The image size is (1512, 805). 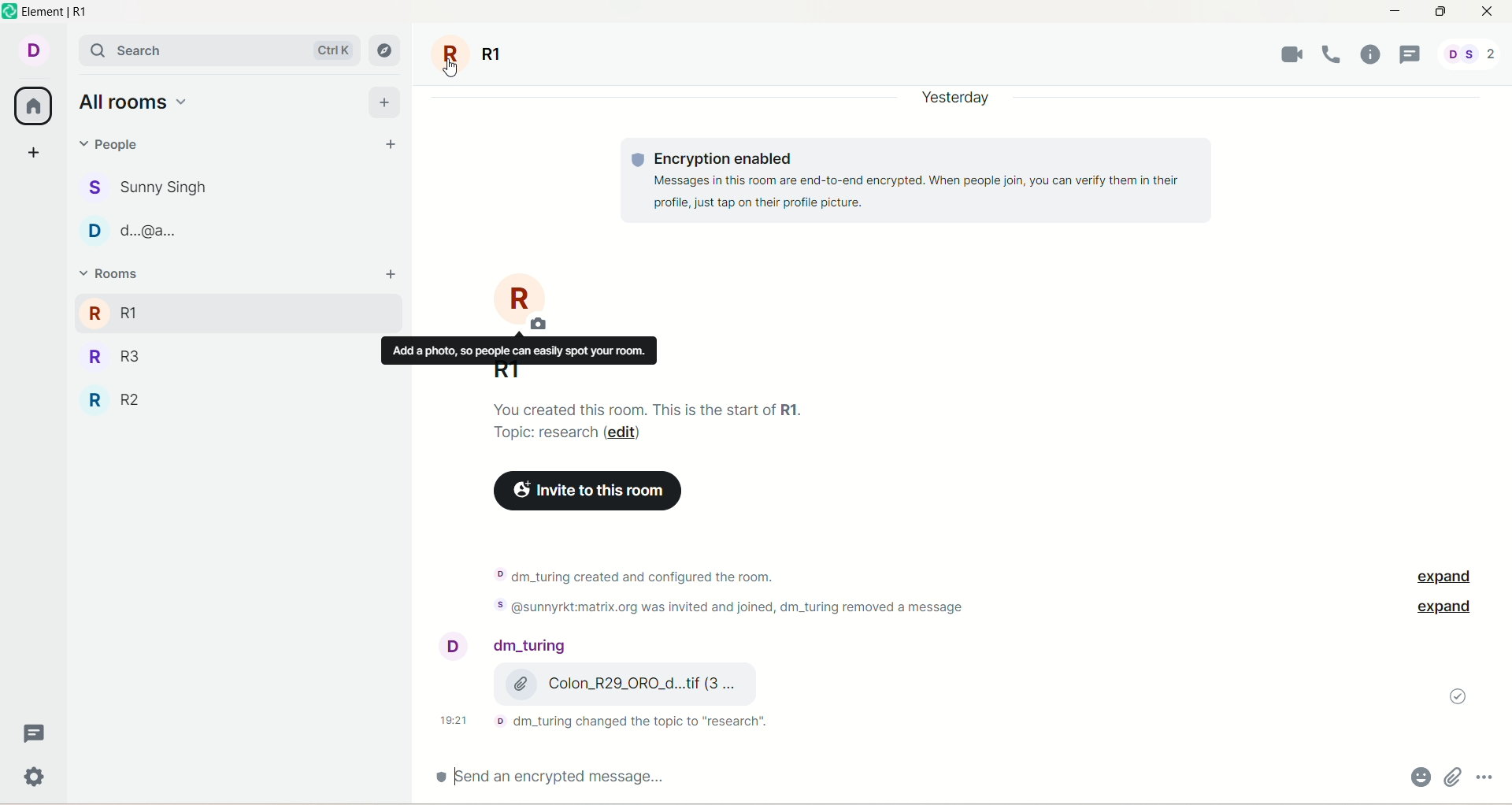 What do you see at coordinates (598, 780) in the screenshot?
I see `encrypted message` at bounding box center [598, 780].